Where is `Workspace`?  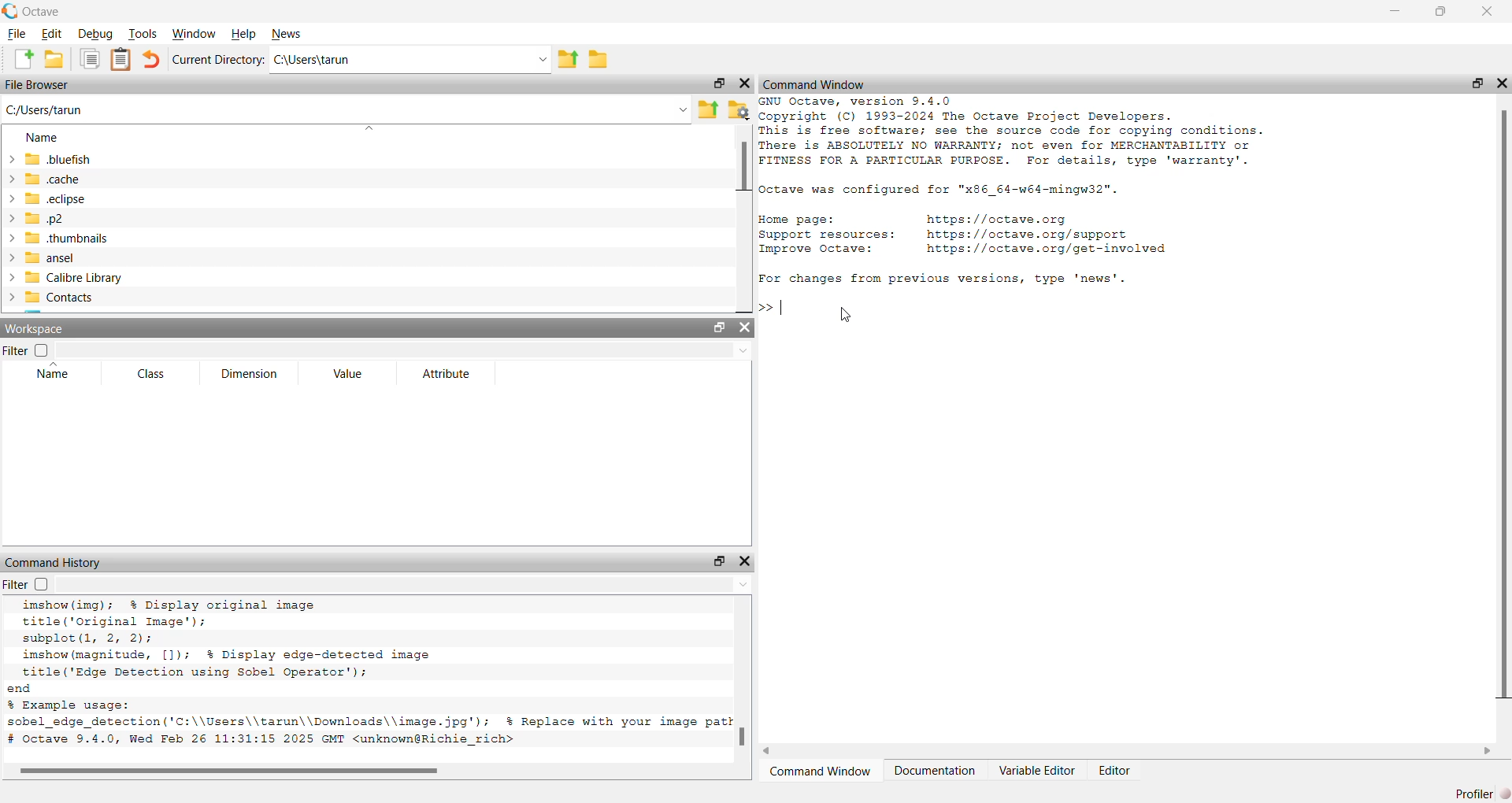
Workspace is located at coordinates (35, 327).